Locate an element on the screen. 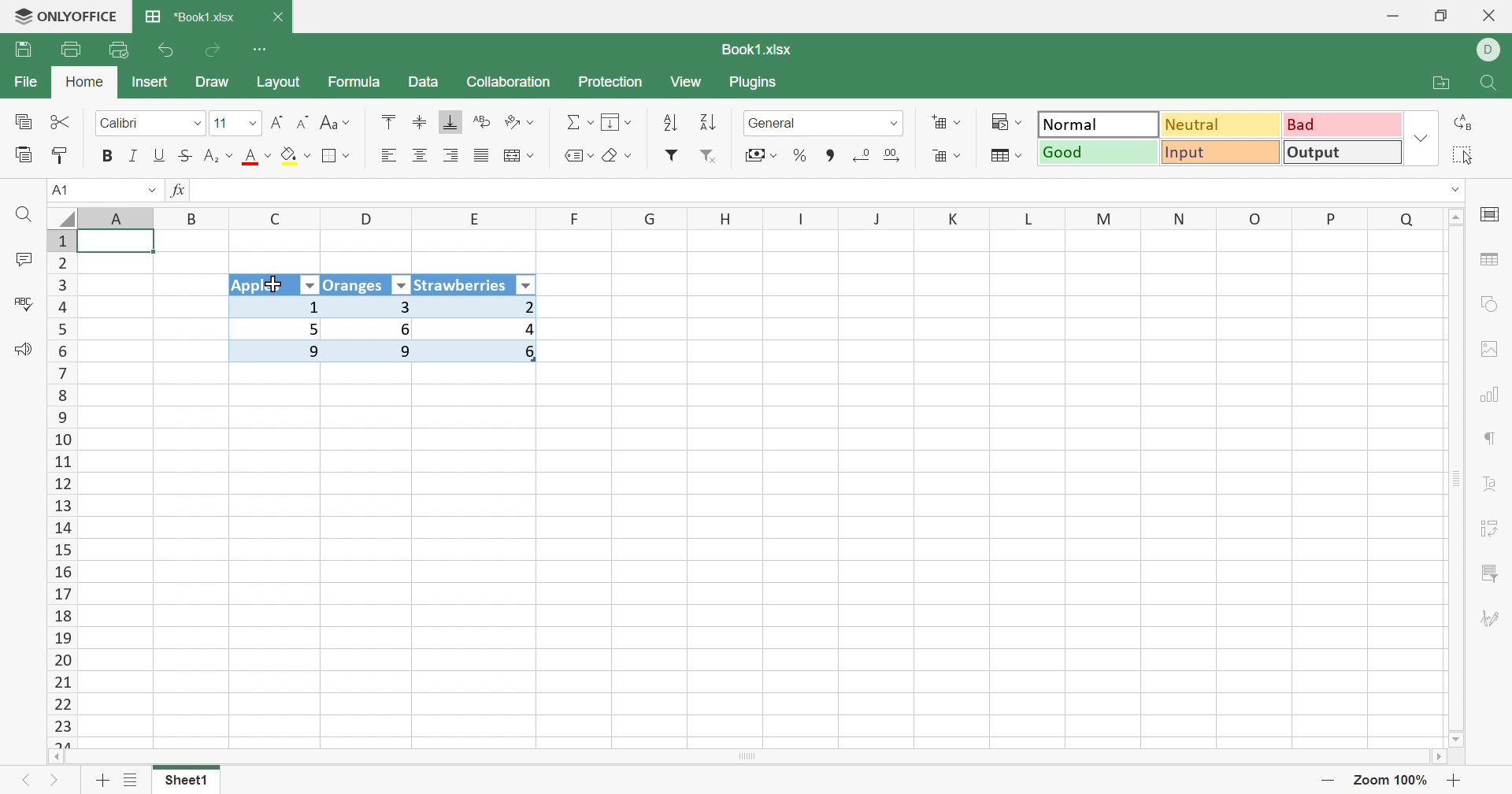 This screenshot has height=794, width=1512. shape settings is located at coordinates (1488, 304).